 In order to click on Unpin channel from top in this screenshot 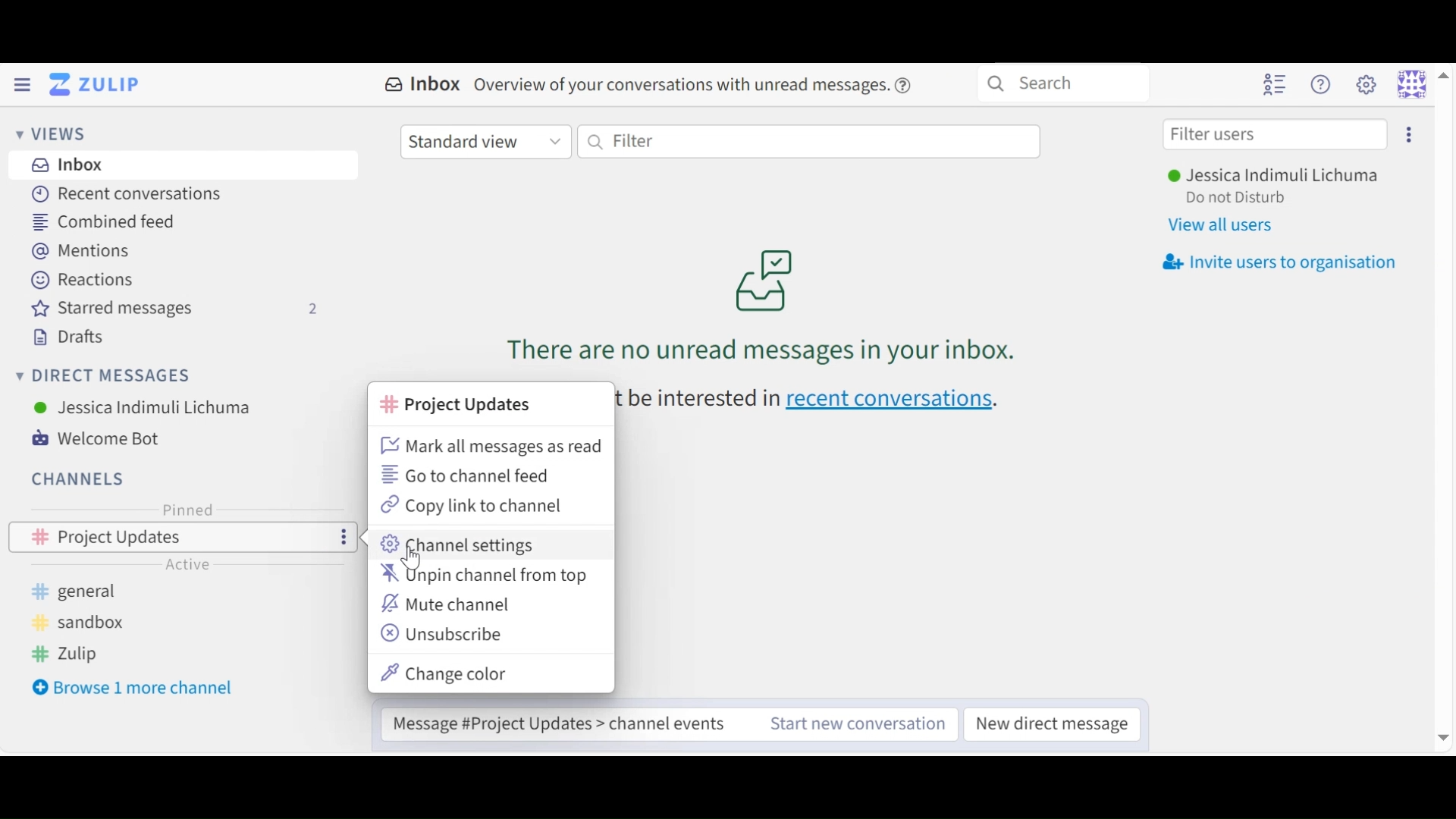, I will do `click(483, 574)`.